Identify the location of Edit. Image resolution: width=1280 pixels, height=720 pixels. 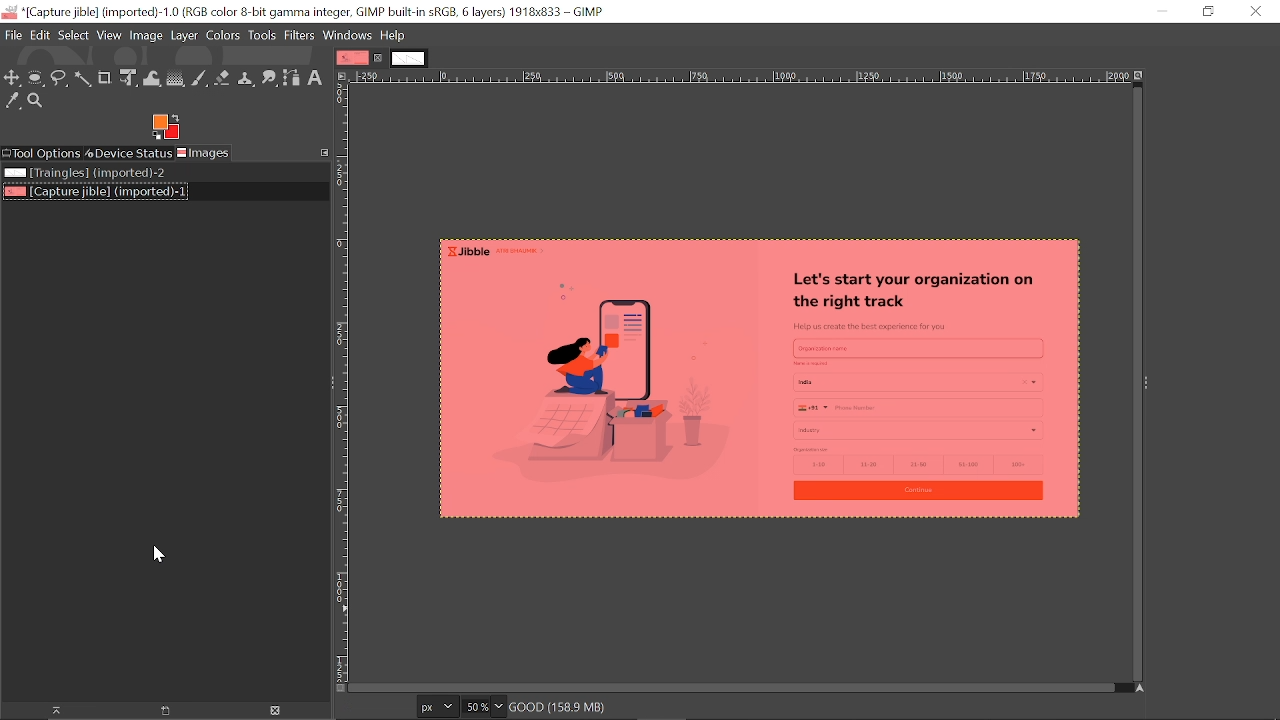
(38, 35).